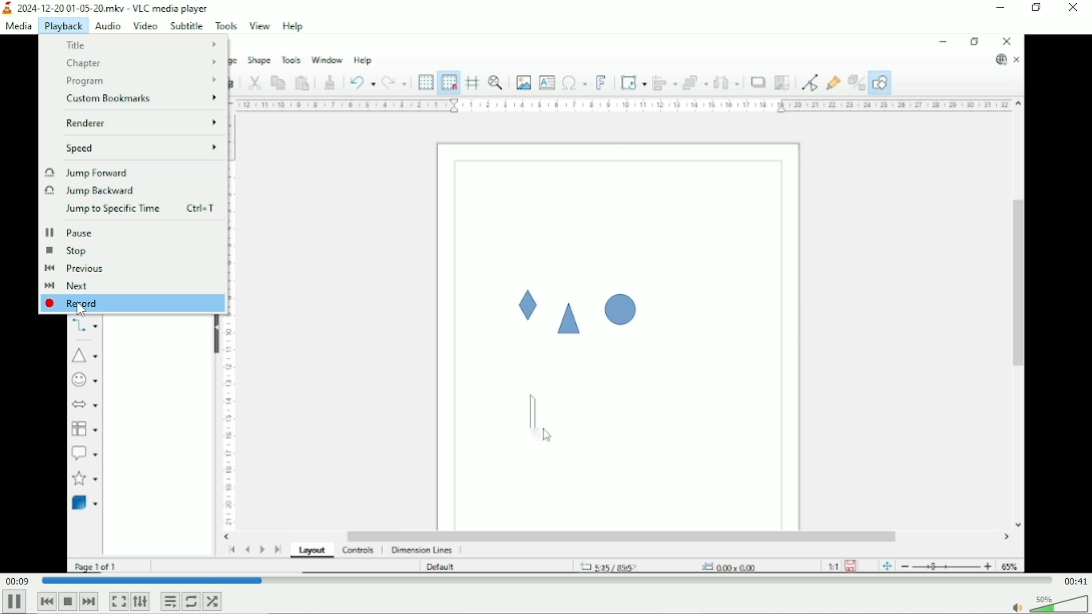 The image size is (1092, 614). What do you see at coordinates (130, 303) in the screenshot?
I see `Record` at bounding box center [130, 303].